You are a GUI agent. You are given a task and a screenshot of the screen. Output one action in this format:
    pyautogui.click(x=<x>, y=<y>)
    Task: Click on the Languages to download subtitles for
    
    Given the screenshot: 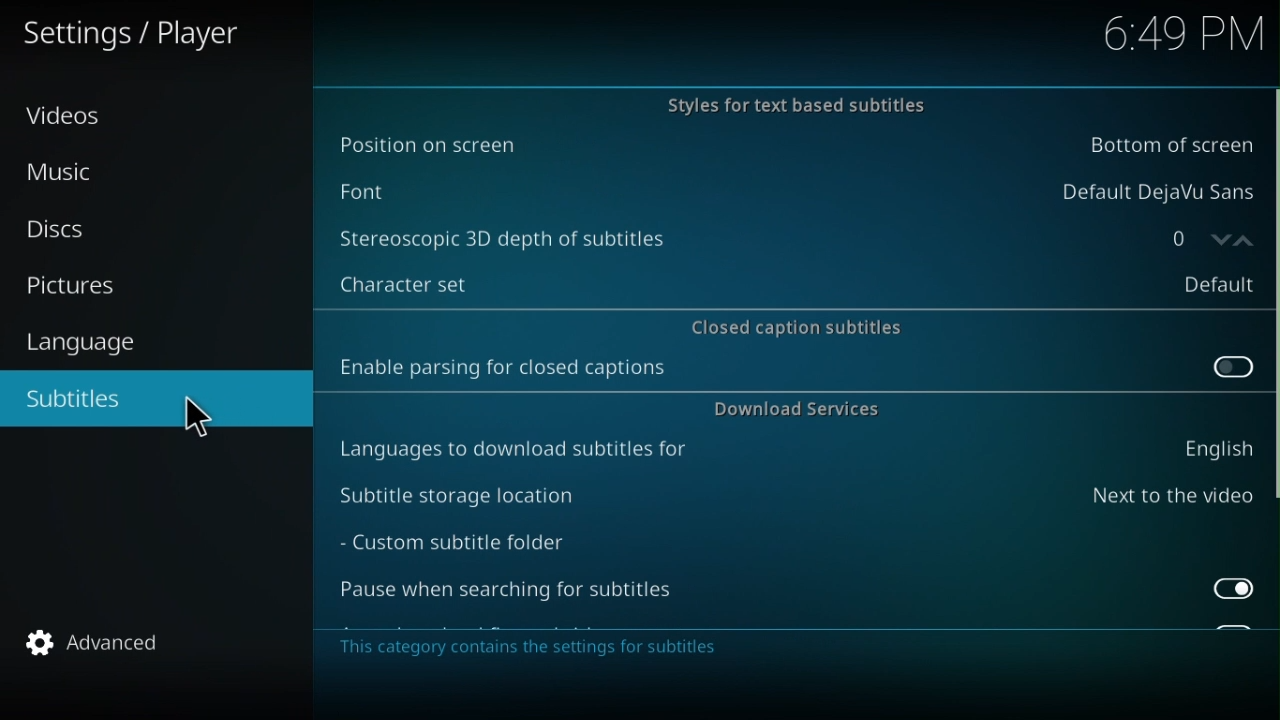 What is the action you would take?
    pyautogui.click(x=794, y=451)
    